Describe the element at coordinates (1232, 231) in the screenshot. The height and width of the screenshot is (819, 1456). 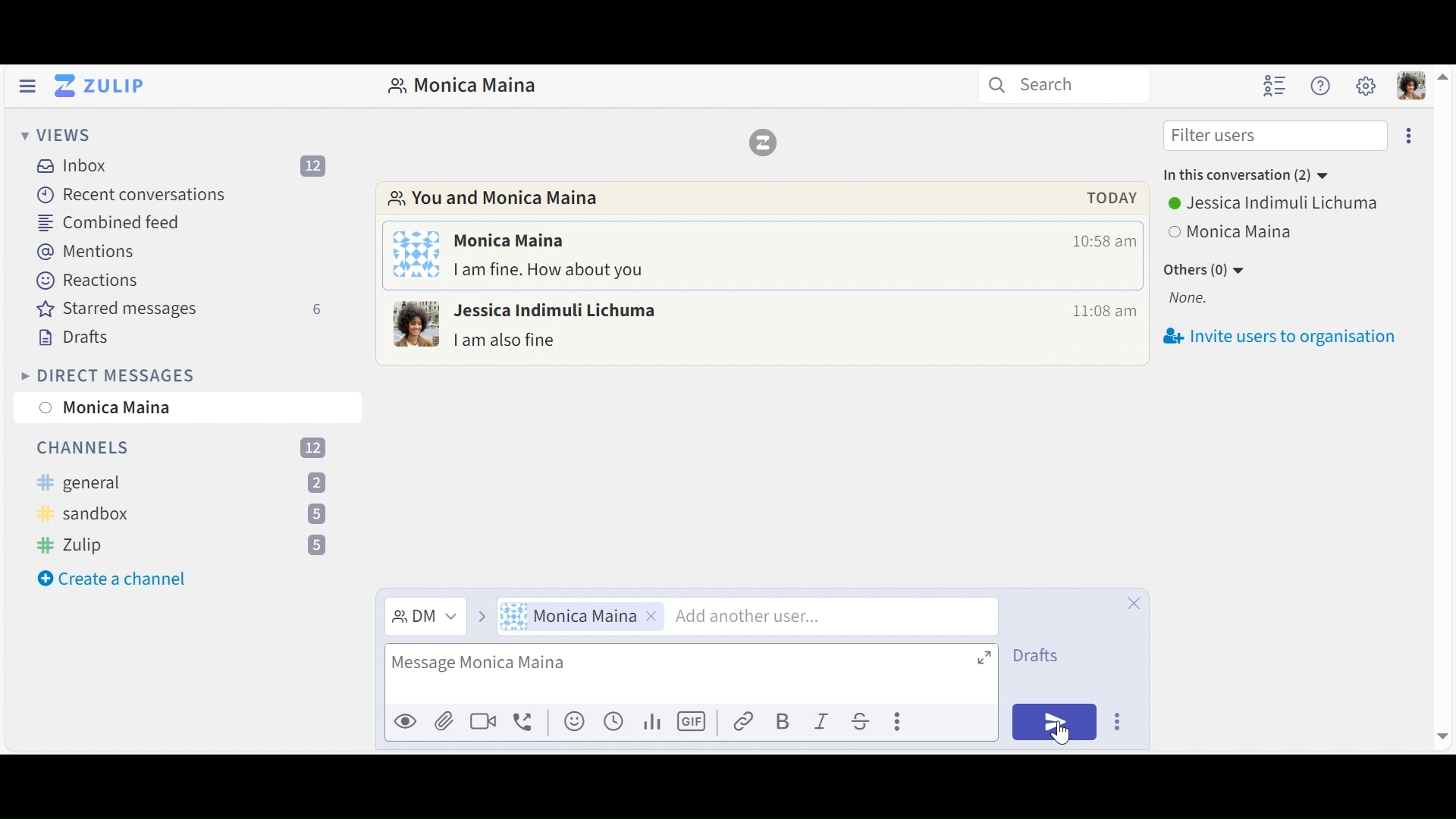
I see `View all users` at that location.